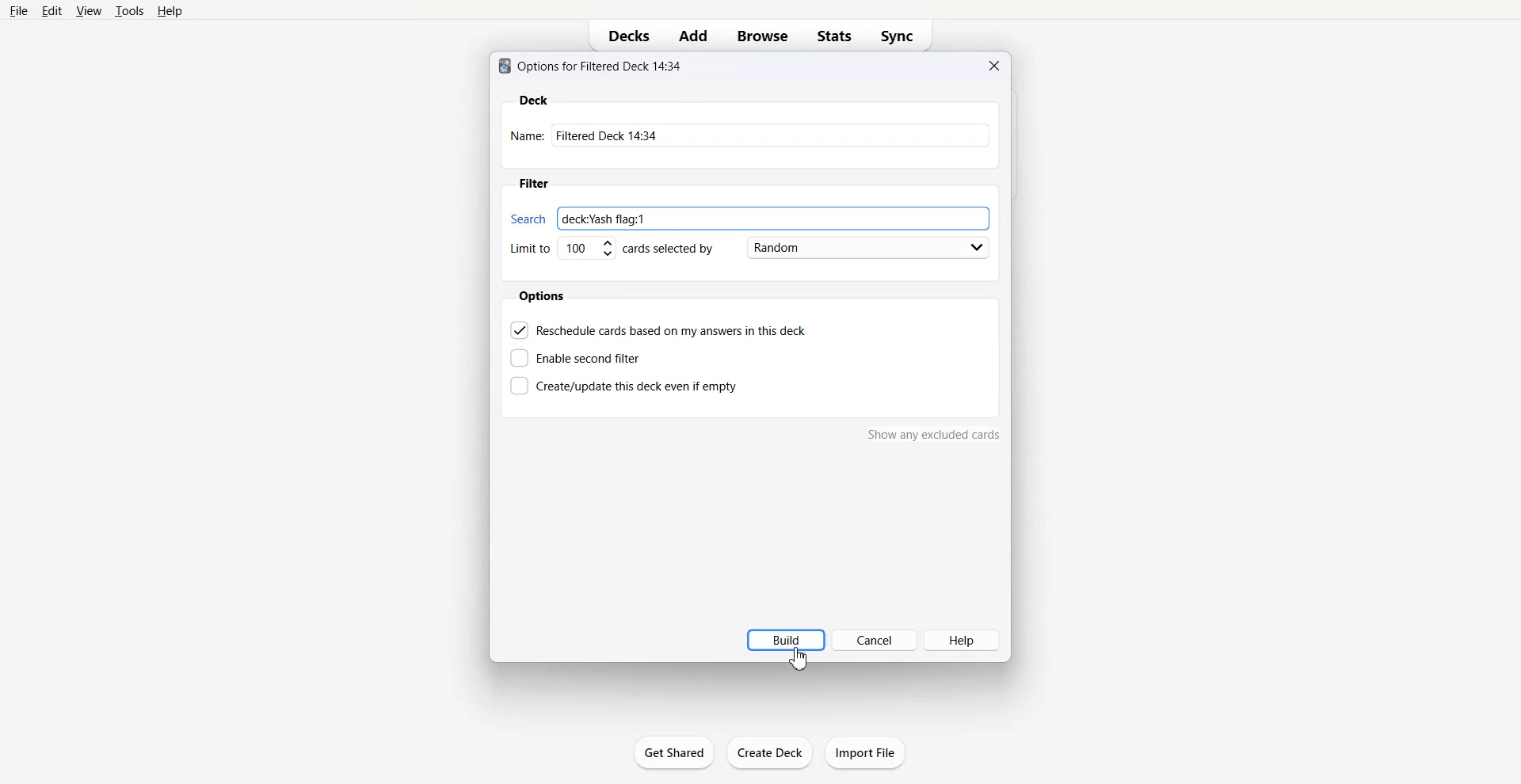 This screenshot has height=784, width=1521. Describe the element at coordinates (785, 640) in the screenshot. I see `Build` at that location.